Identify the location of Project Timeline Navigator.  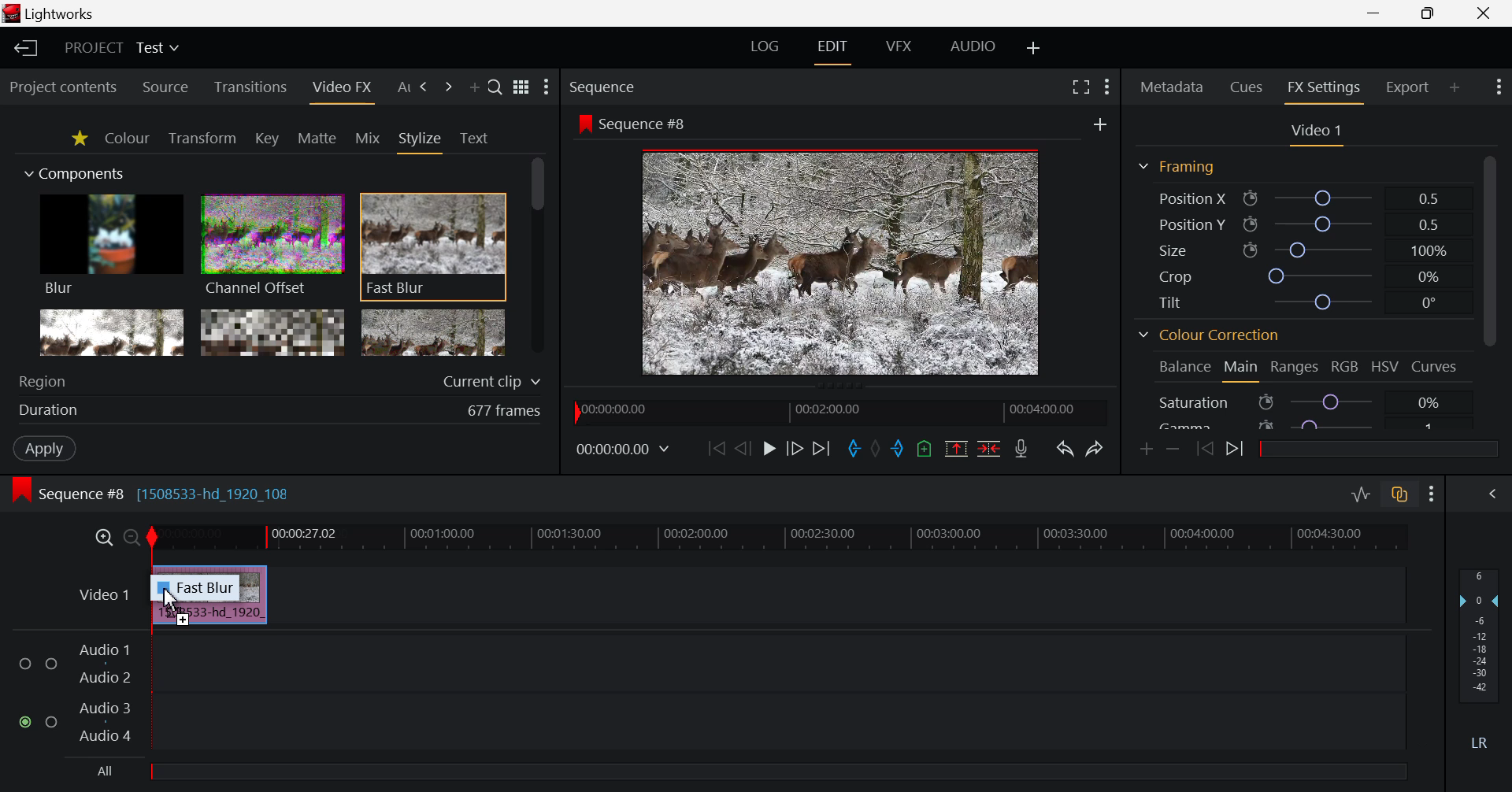
(836, 411).